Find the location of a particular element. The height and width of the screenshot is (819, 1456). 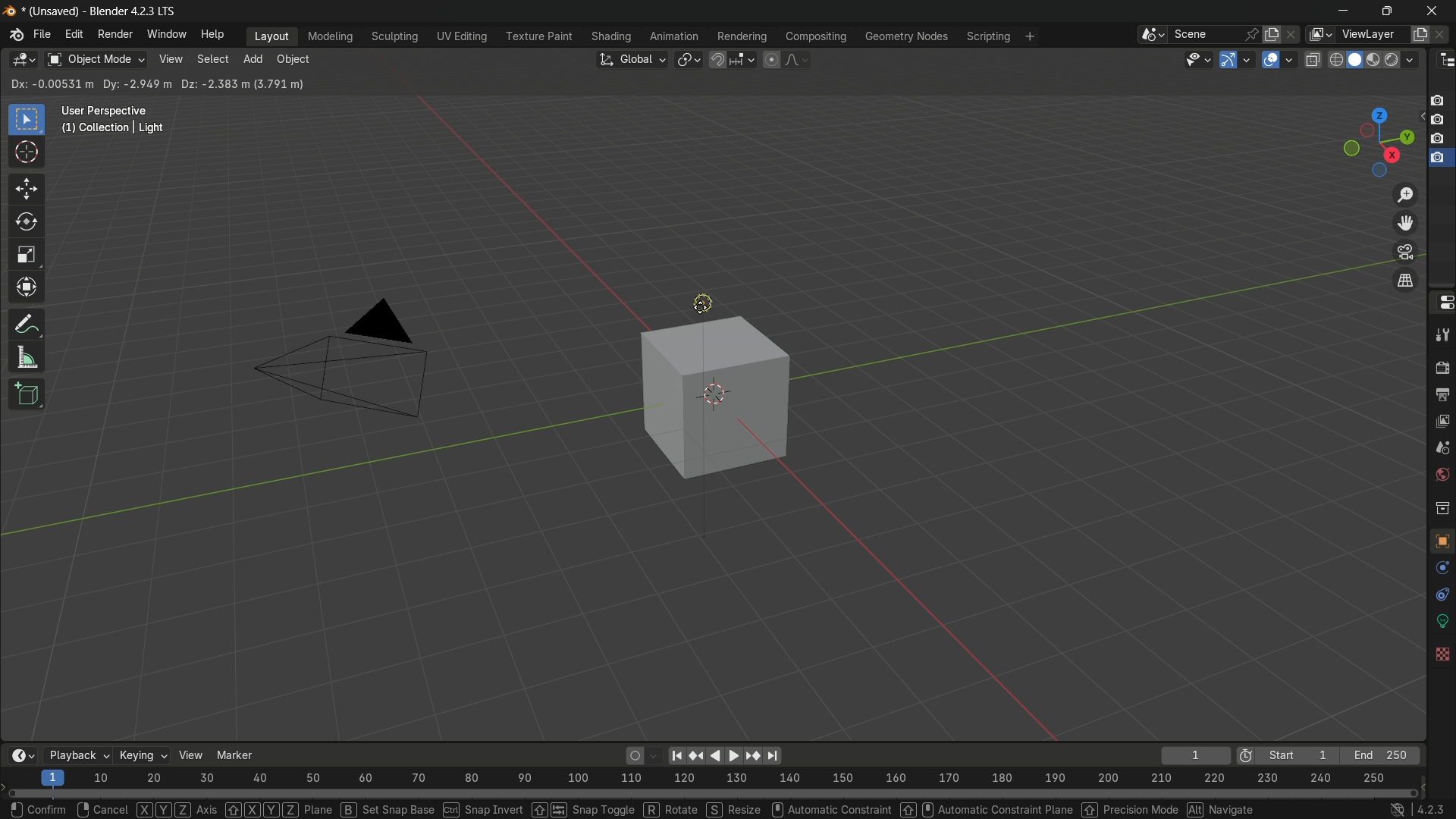

data is located at coordinates (1441, 673).